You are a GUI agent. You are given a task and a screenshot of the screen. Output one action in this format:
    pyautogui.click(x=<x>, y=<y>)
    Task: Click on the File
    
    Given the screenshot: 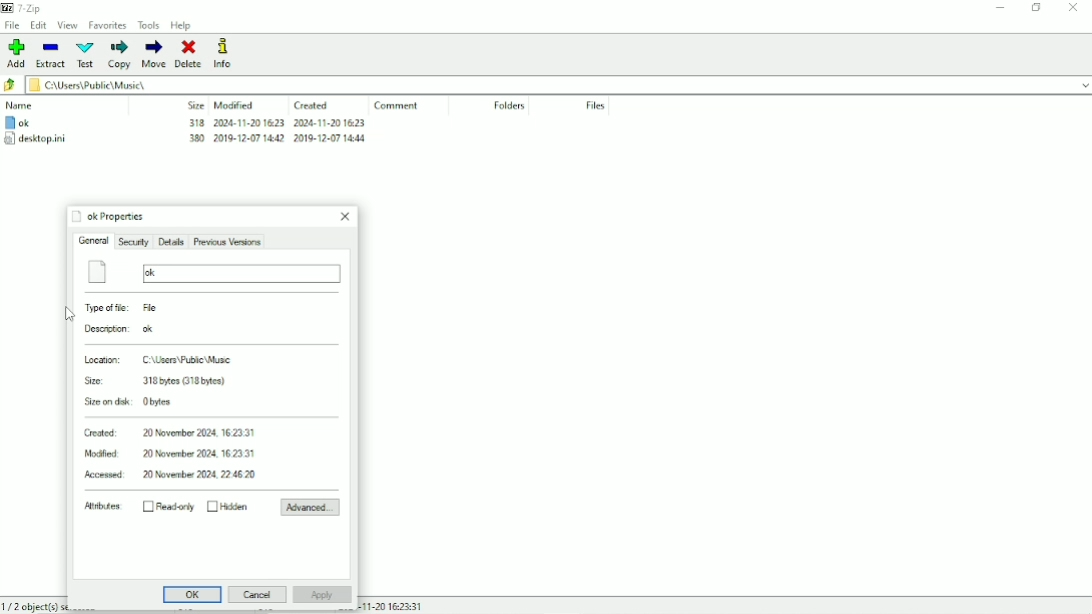 What is the action you would take?
    pyautogui.click(x=12, y=27)
    